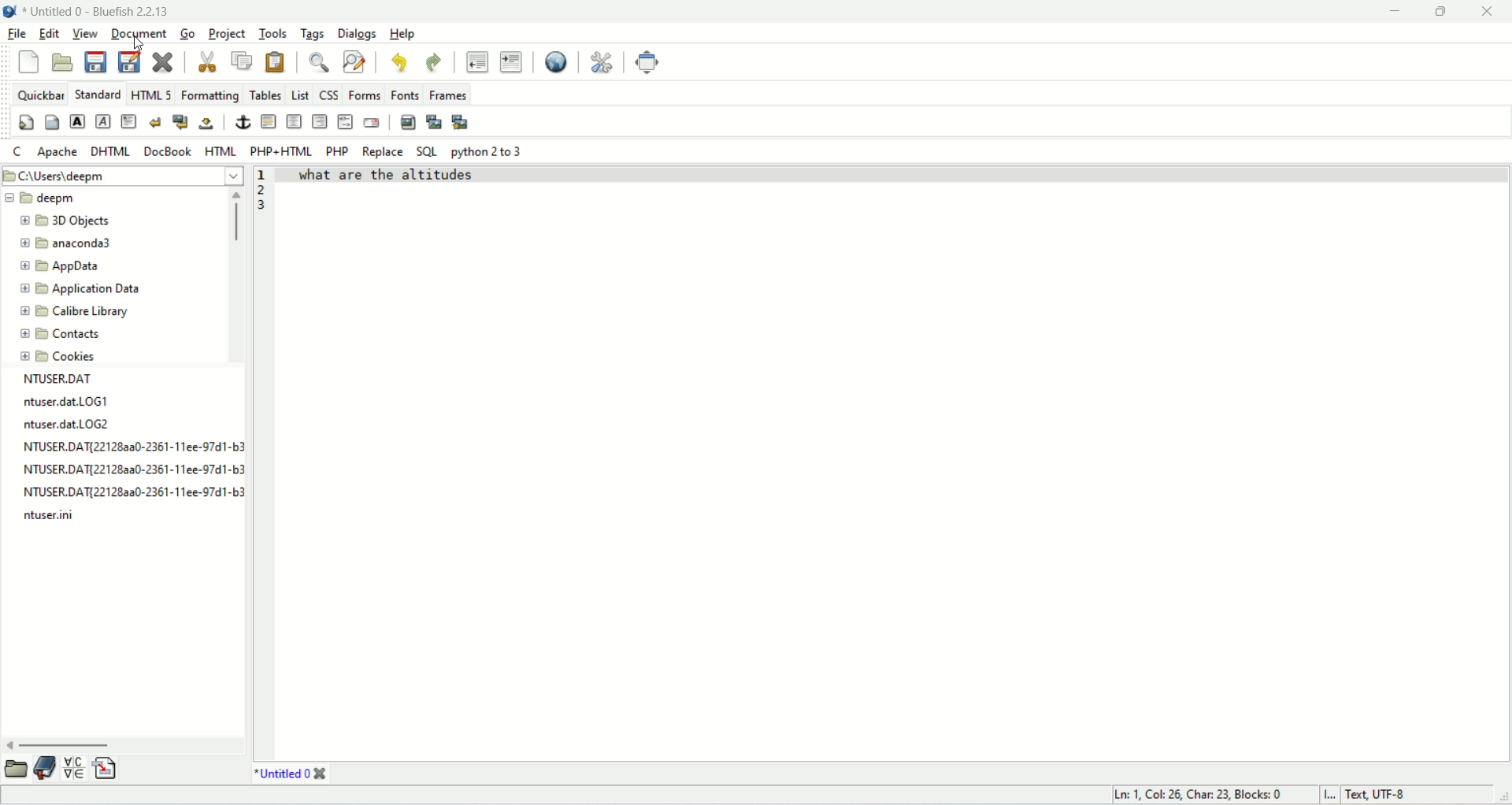 The height and width of the screenshot is (805, 1512). I want to click on show find bar, so click(321, 62).